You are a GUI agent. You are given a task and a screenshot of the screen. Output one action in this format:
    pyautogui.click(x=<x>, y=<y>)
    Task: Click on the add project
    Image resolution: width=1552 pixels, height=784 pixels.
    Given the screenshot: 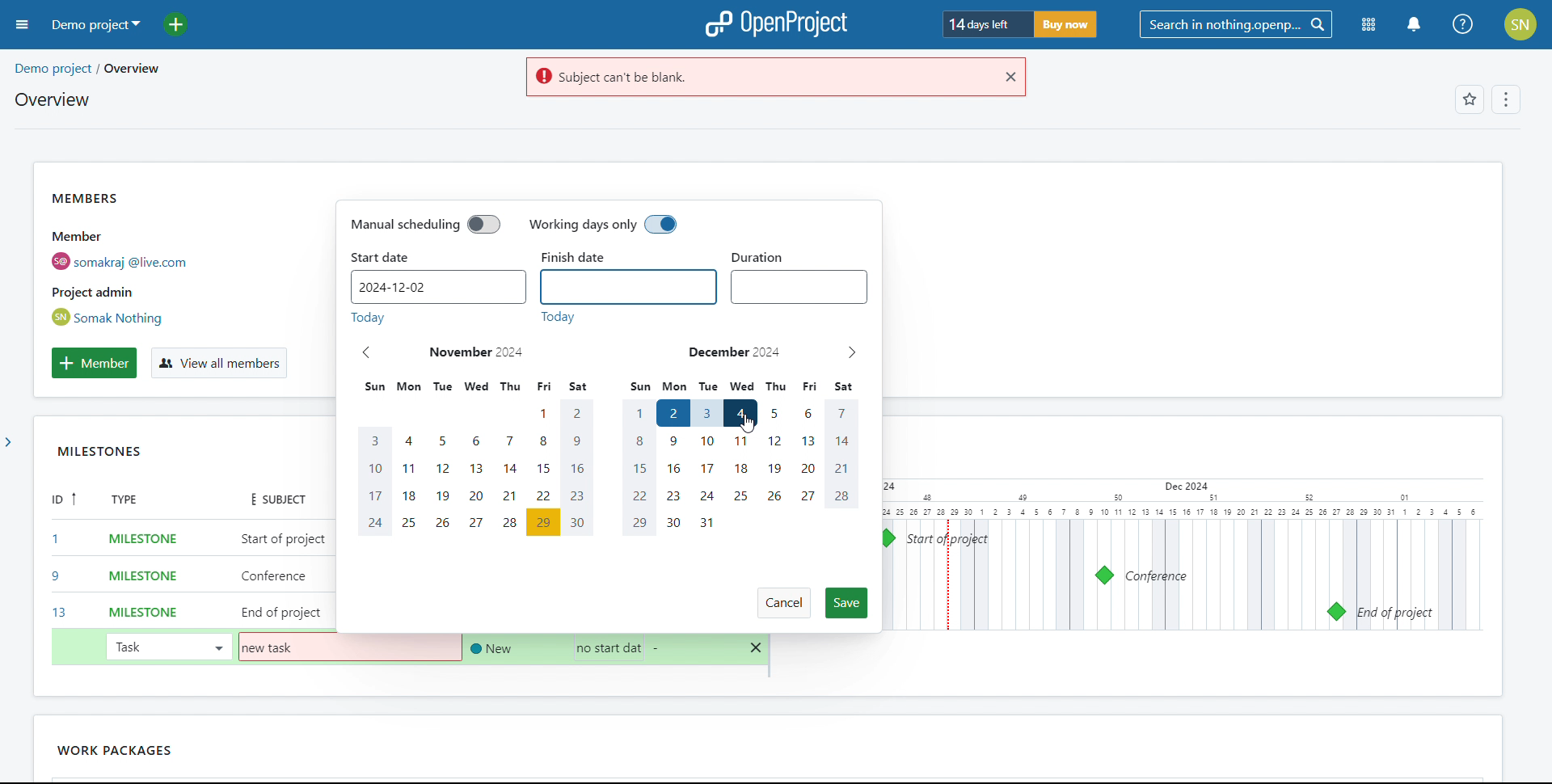 What is the action you would take?
    pyautogui.click(x=185, y=24)
    